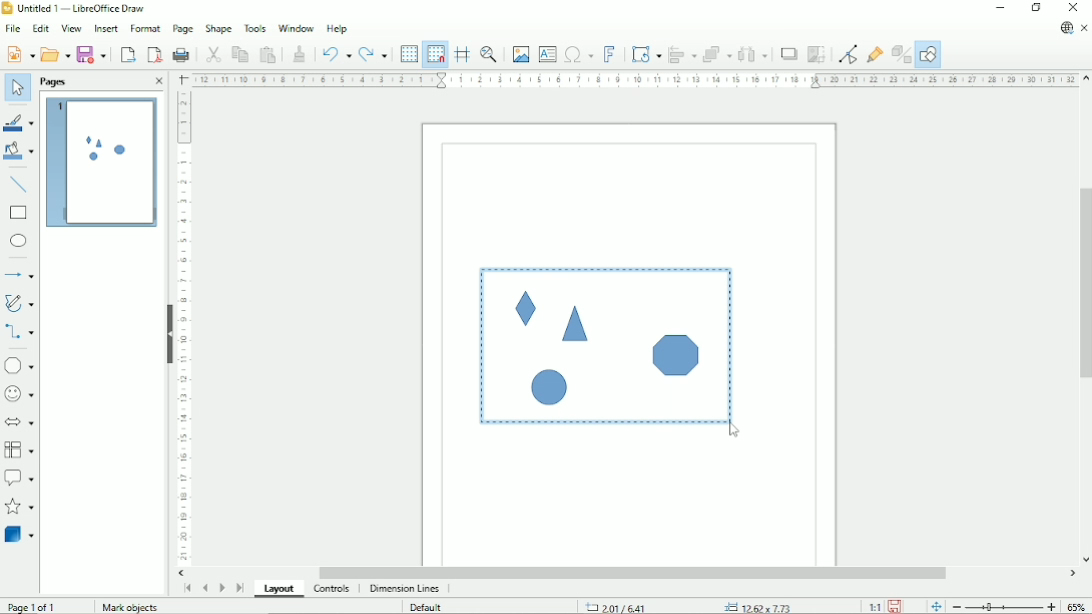  Describe the element at coordinates (239, 53) in the screenshot. I see `Copy` at that location.